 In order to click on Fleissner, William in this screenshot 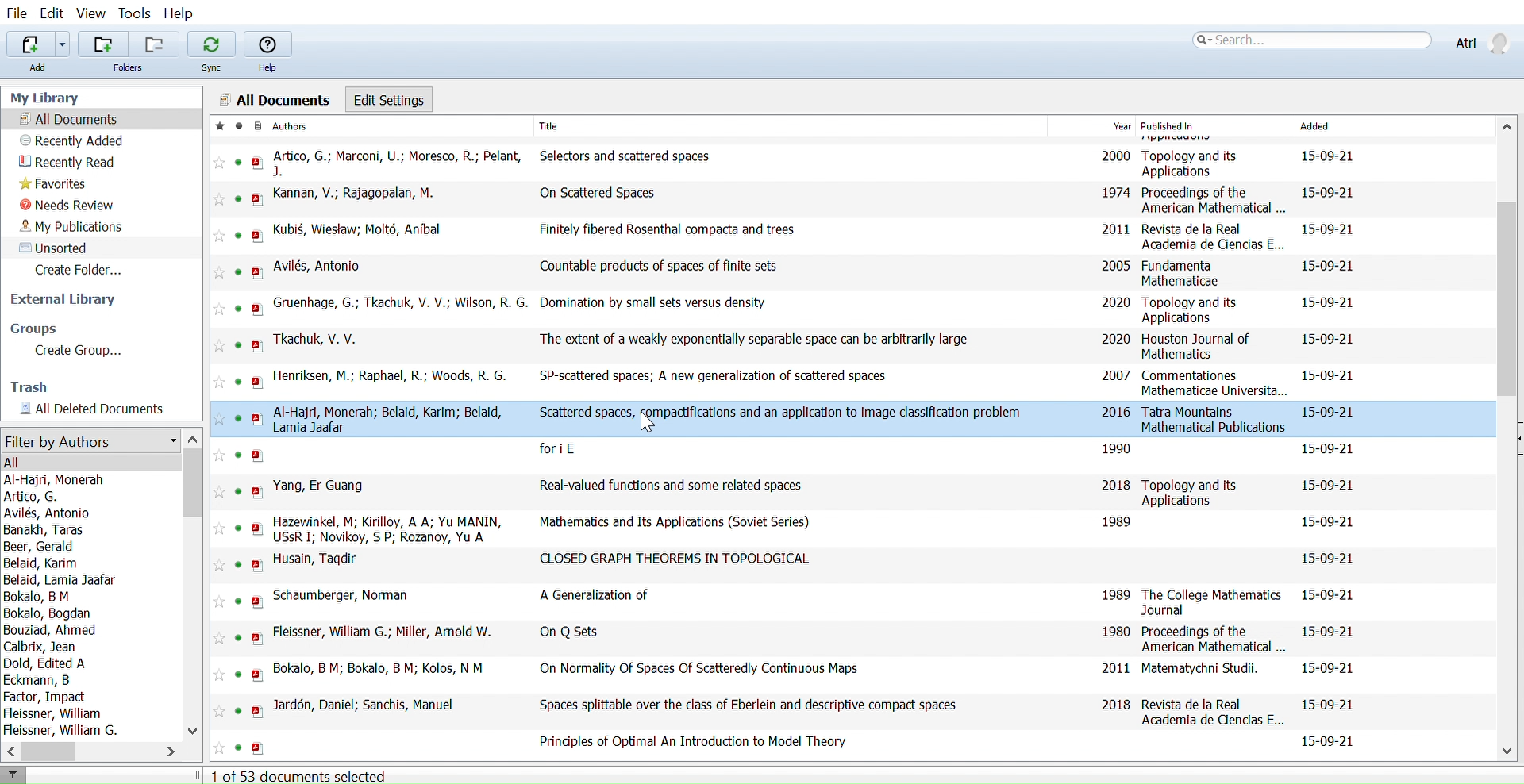, I will do `click(52, 714)`.